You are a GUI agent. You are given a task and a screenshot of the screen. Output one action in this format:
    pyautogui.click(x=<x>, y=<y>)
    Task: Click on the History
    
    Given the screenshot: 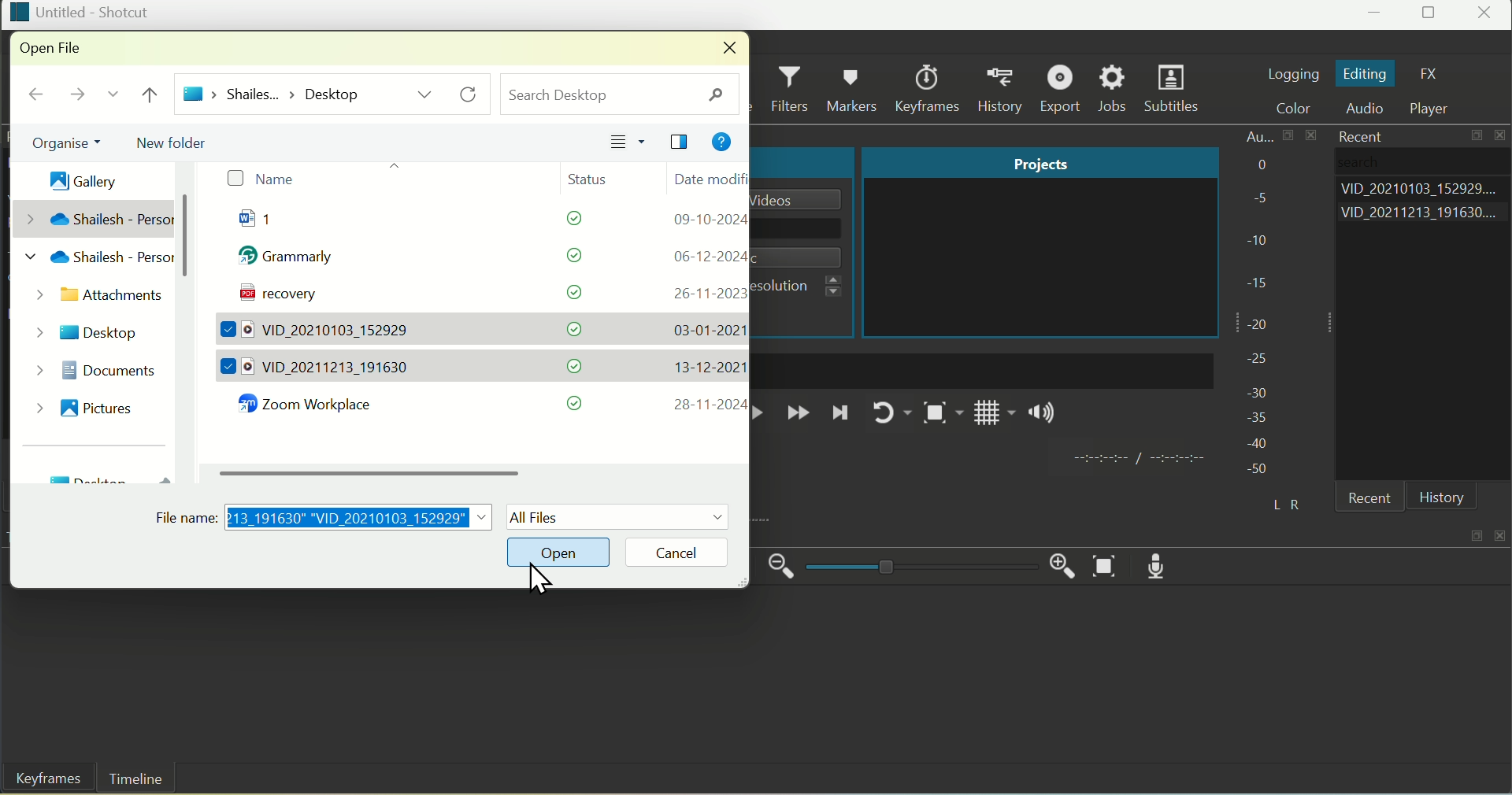 What is the action you would take?
    pyautogui.click(x=1442, y=497)
    